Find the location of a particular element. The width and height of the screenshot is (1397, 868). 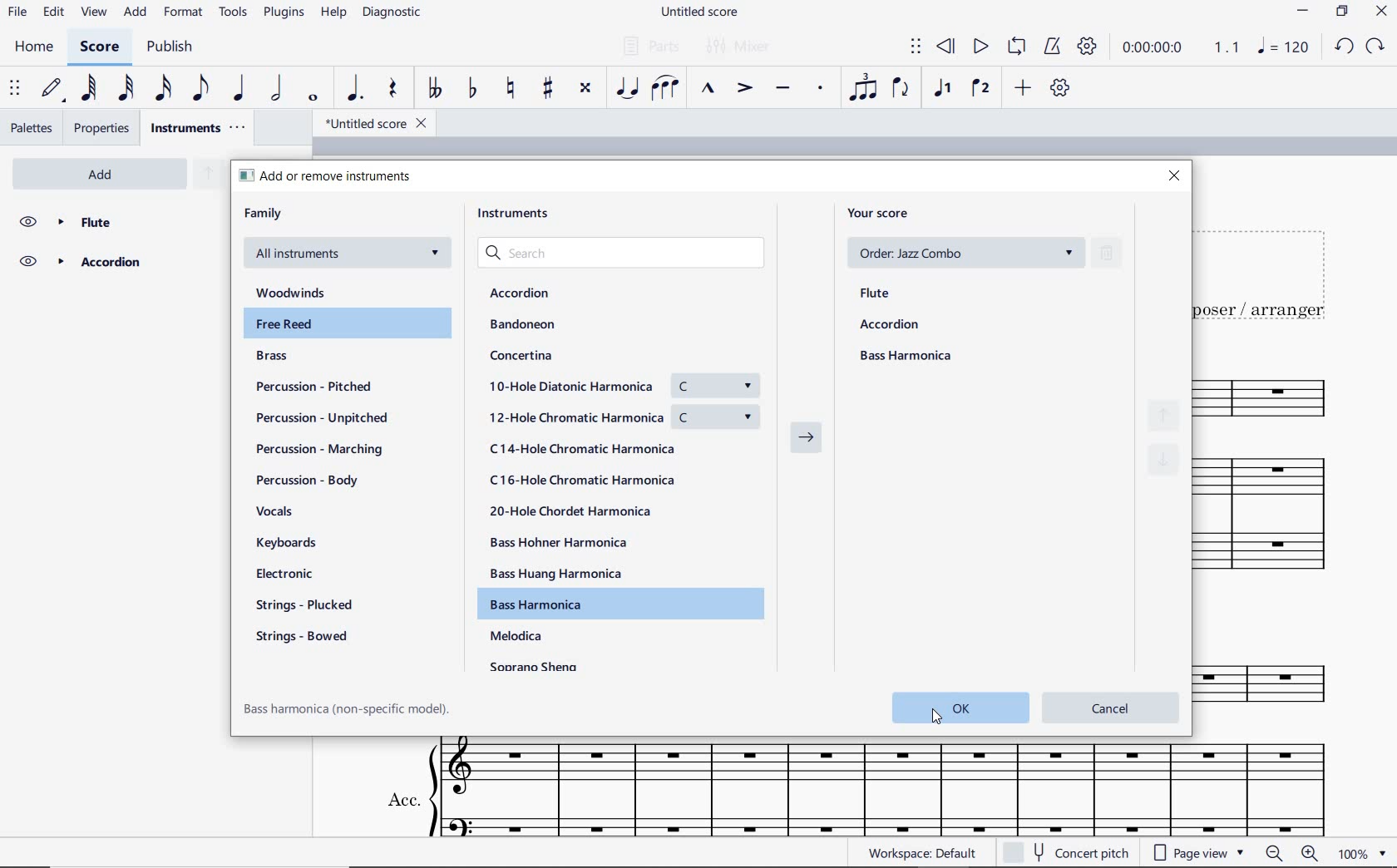

TOOLS is located at coordinates (234, 12).